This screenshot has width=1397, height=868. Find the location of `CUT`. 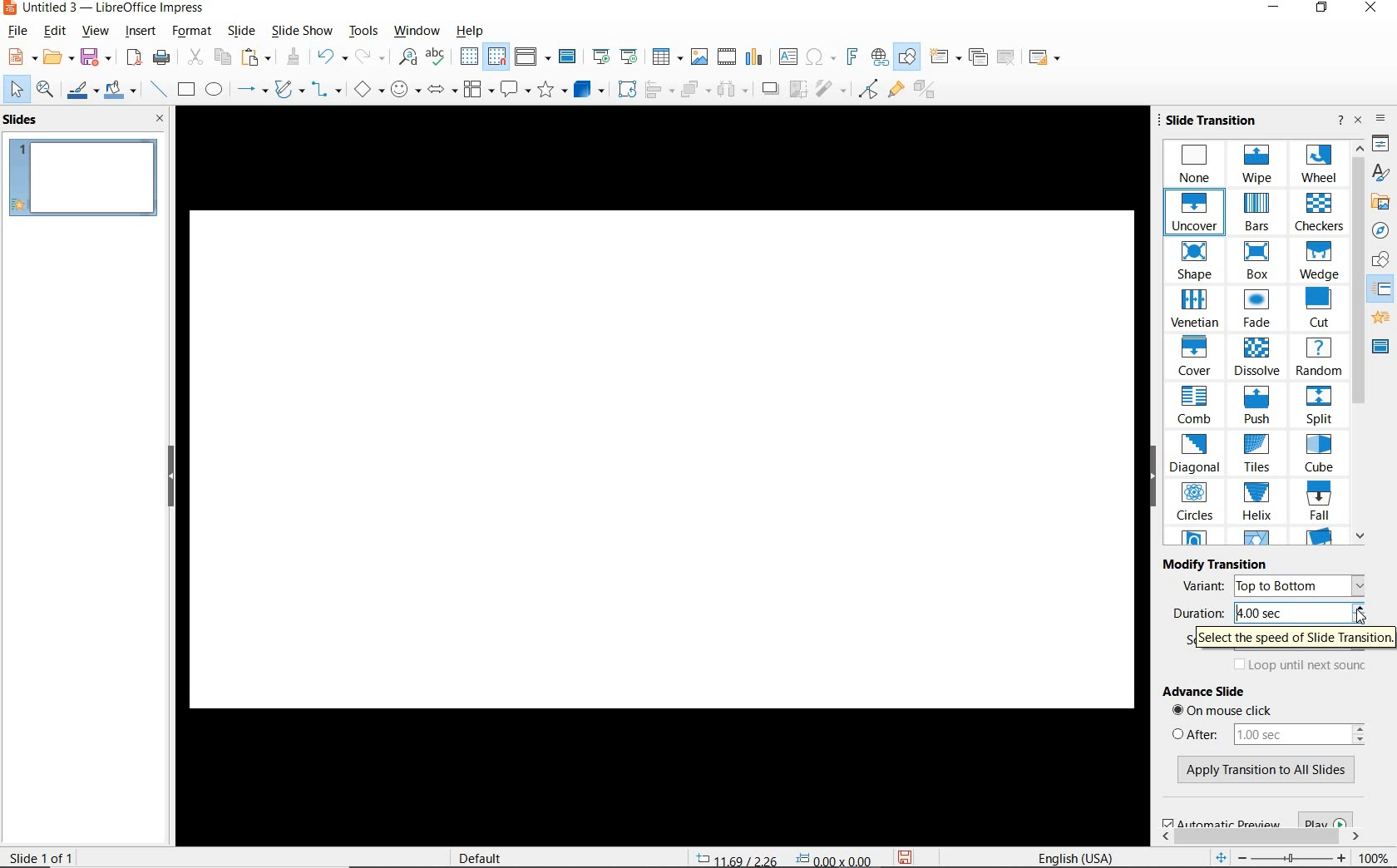

CUT is located at coordinates (1317, 309).